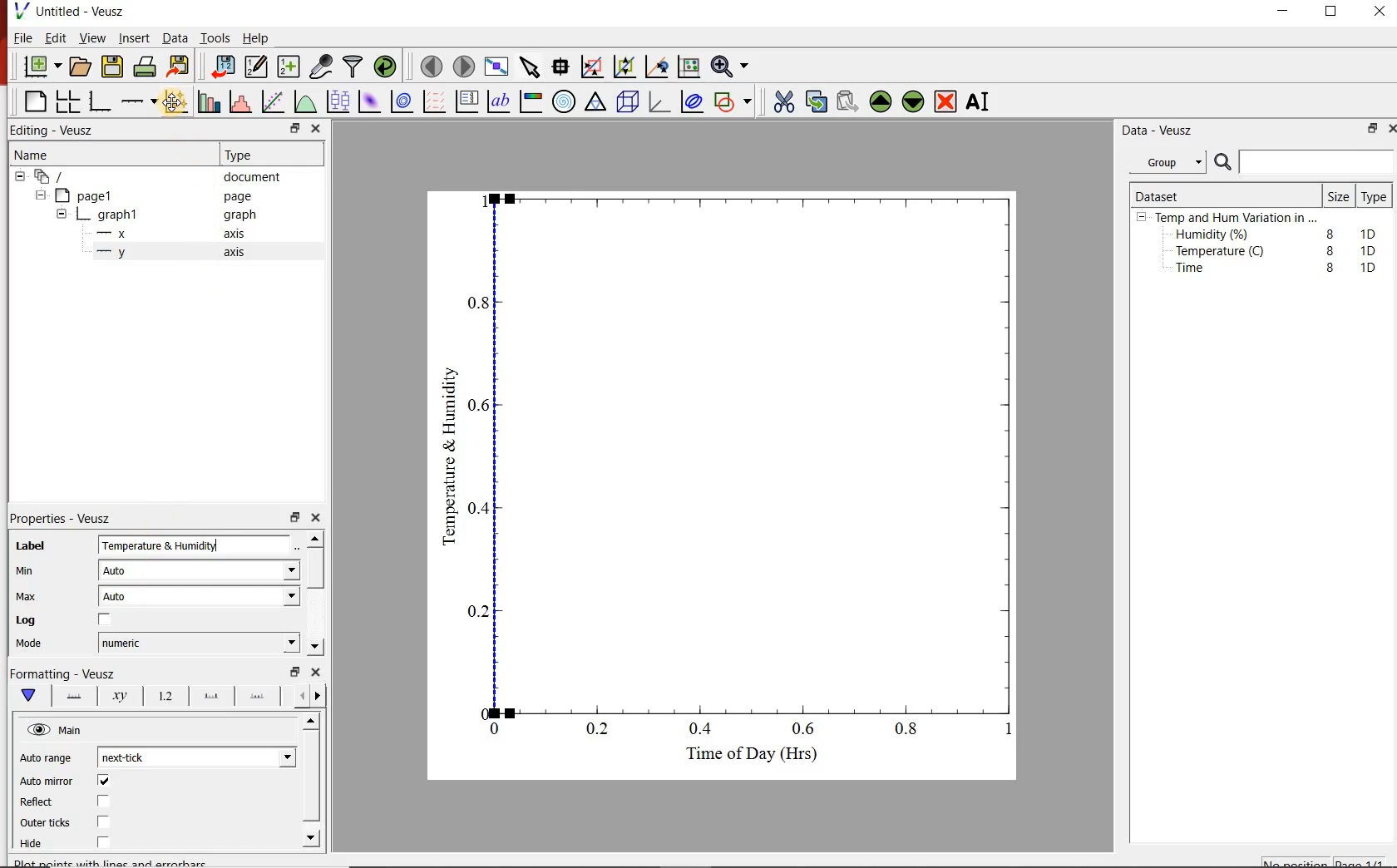 The width and height of the screenshot is (1397, 868). Describe the element at coordinates (321, 518) in the screenshot. I see `close` at that location.